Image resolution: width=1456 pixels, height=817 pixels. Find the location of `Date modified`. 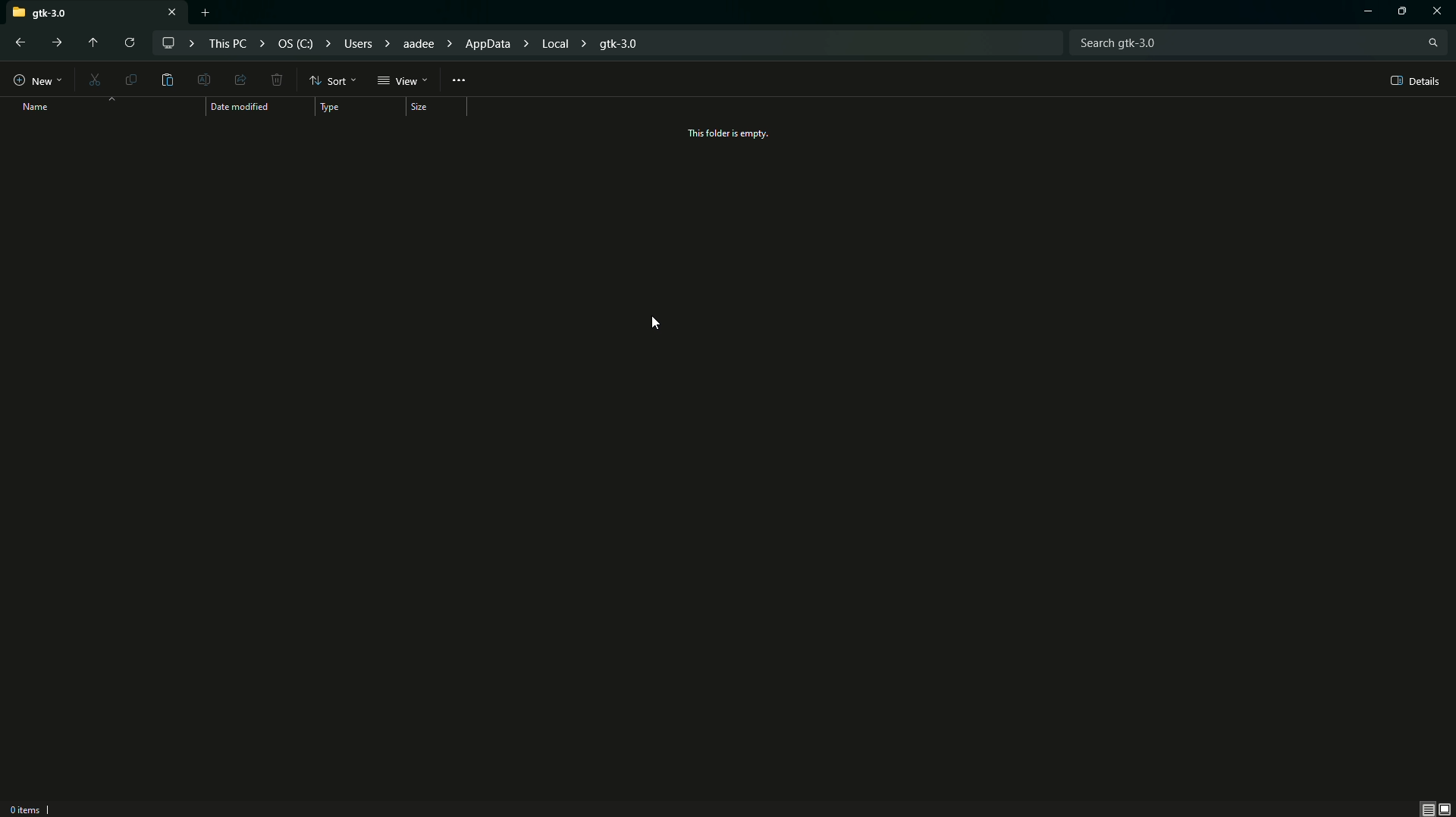

Date modified is located at coordinates (243, 107).